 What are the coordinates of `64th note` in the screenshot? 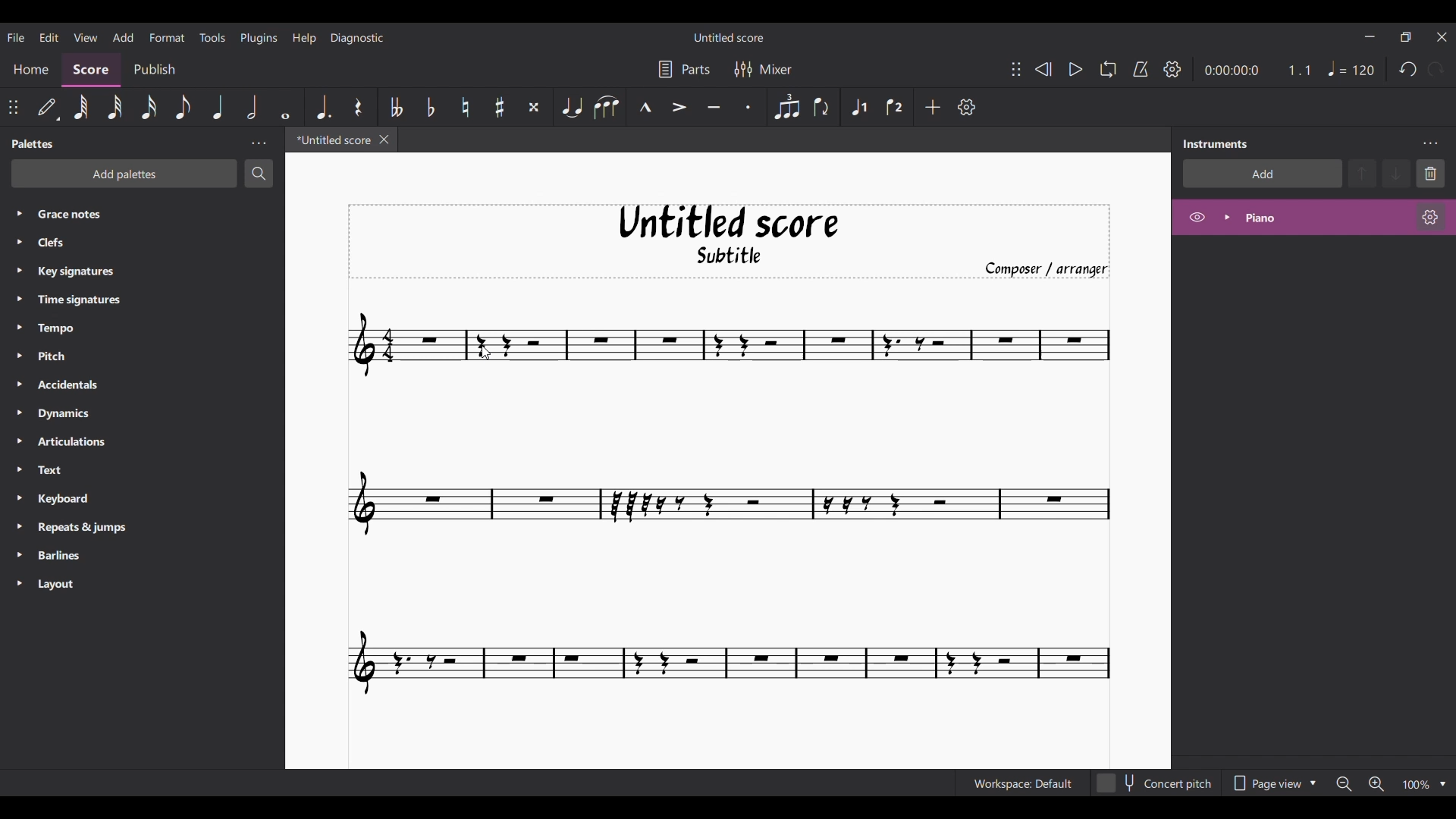 It's located at (82, 107).